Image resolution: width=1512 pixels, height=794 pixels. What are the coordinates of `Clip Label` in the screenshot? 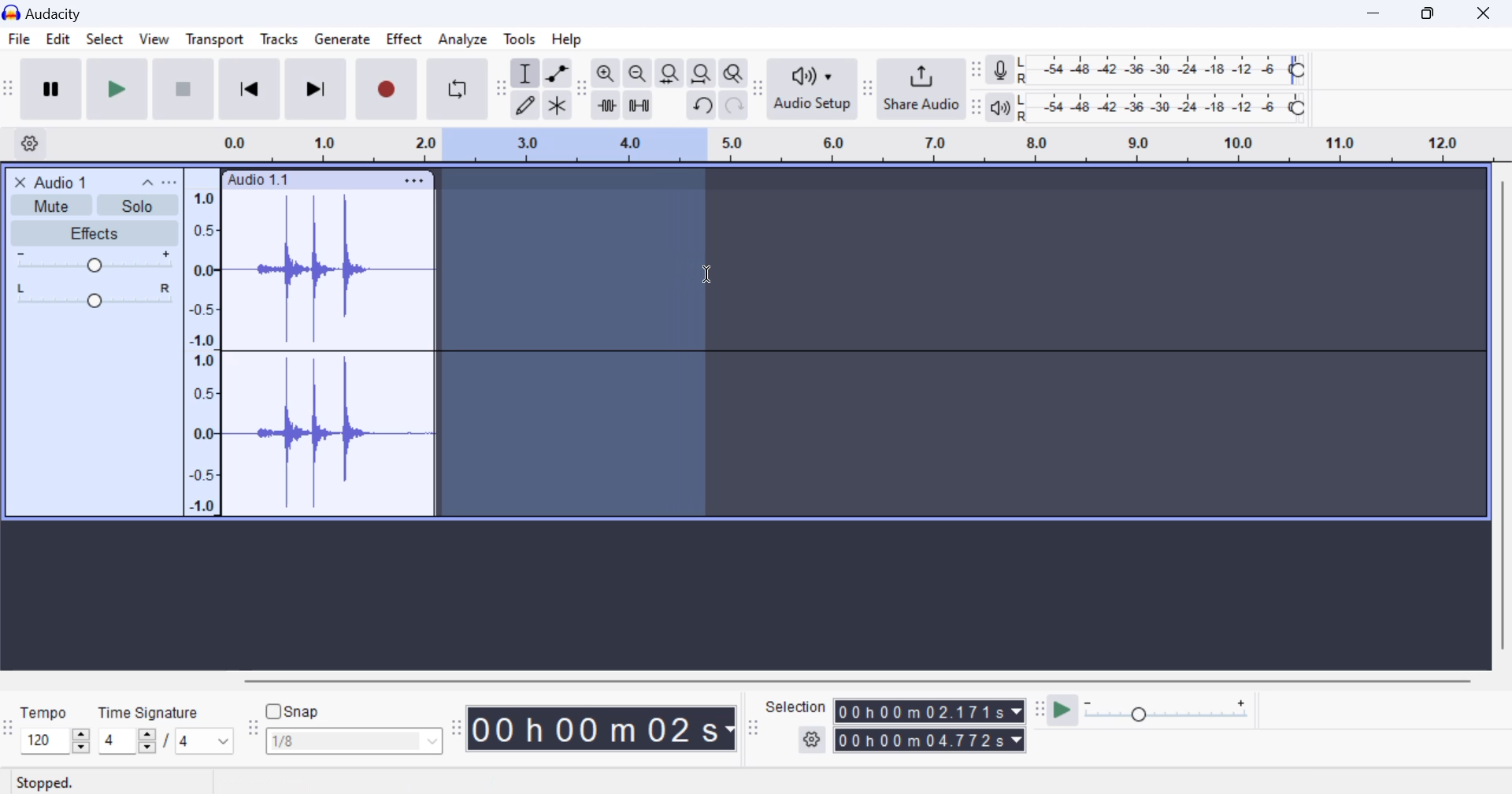 It's located at (259, 180).